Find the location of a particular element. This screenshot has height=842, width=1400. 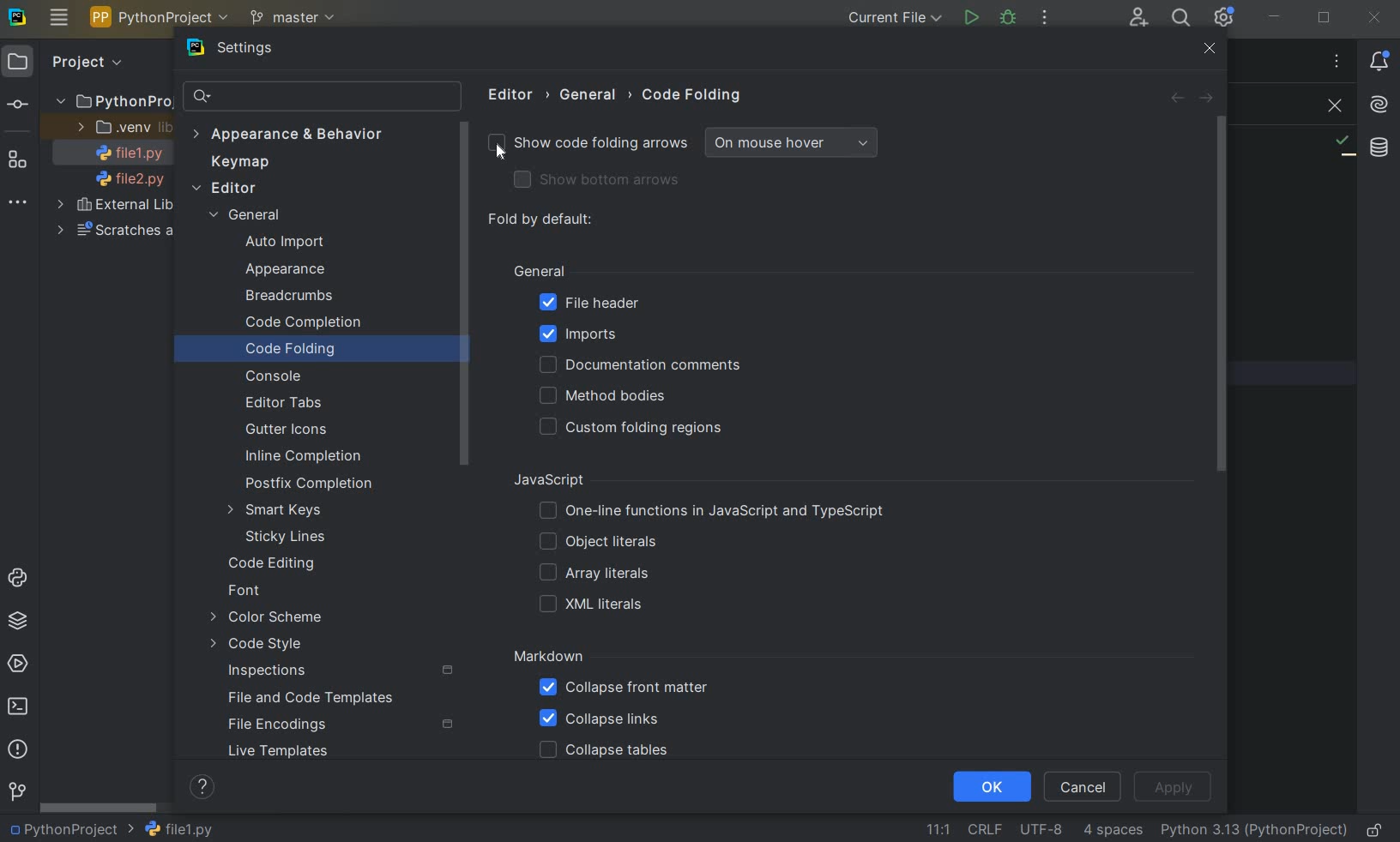

STICKY LINES is located at coordinates (287, 536).